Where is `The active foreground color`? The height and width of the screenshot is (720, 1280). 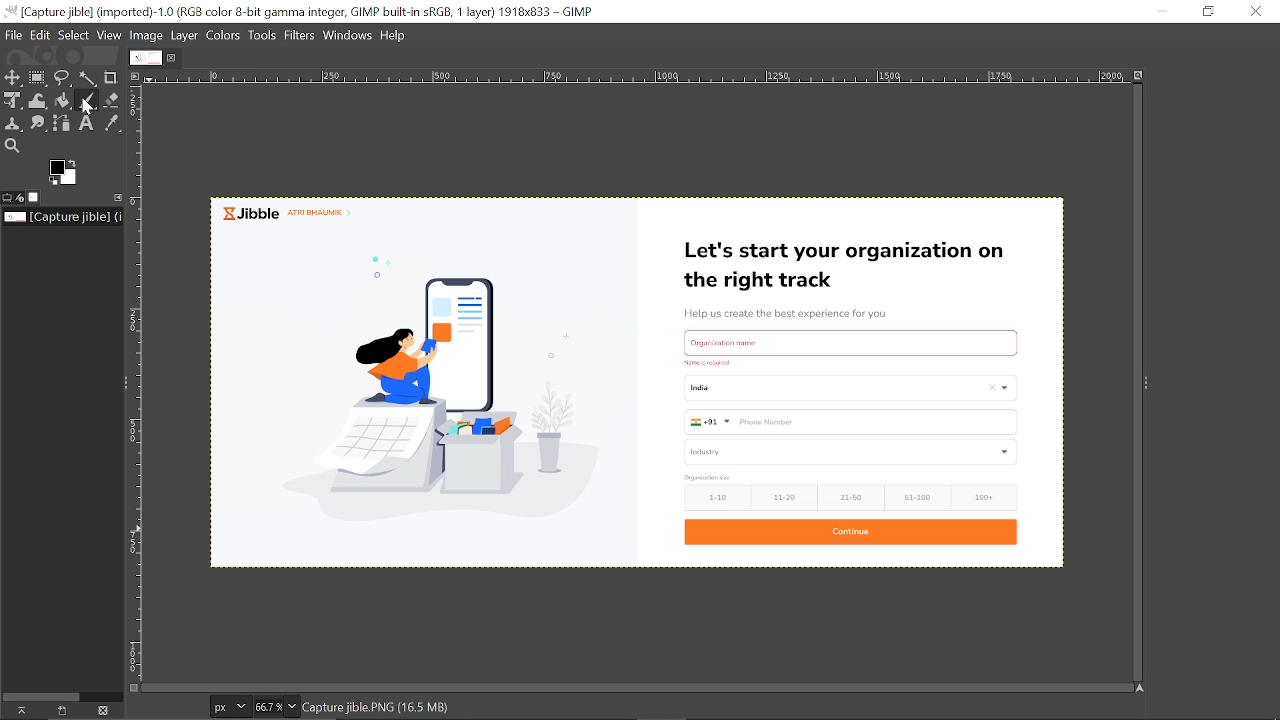
The active foreground color is located at coordinates (63, 172).